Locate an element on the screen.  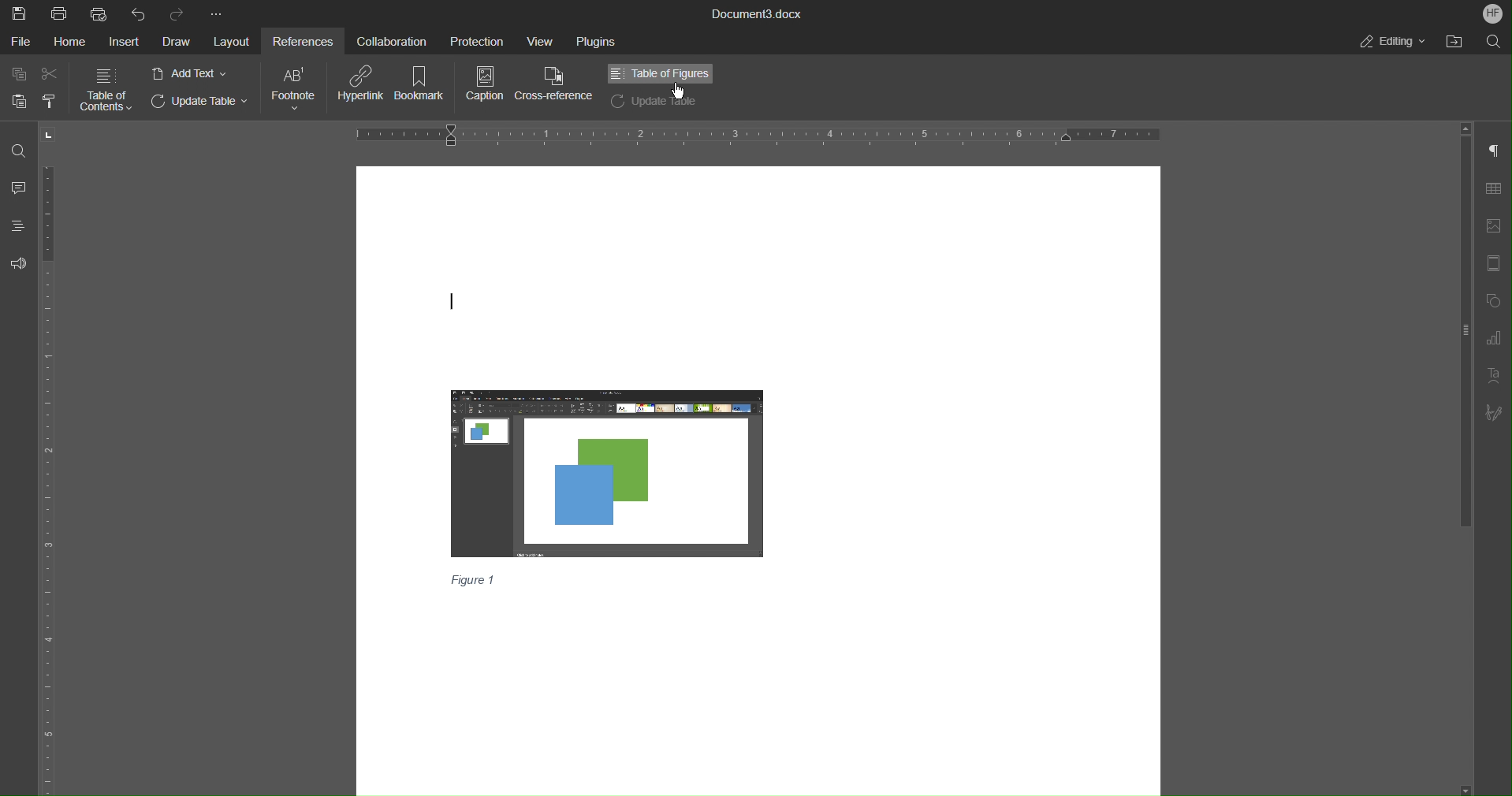
Cut is located at coordinates (50, 74).